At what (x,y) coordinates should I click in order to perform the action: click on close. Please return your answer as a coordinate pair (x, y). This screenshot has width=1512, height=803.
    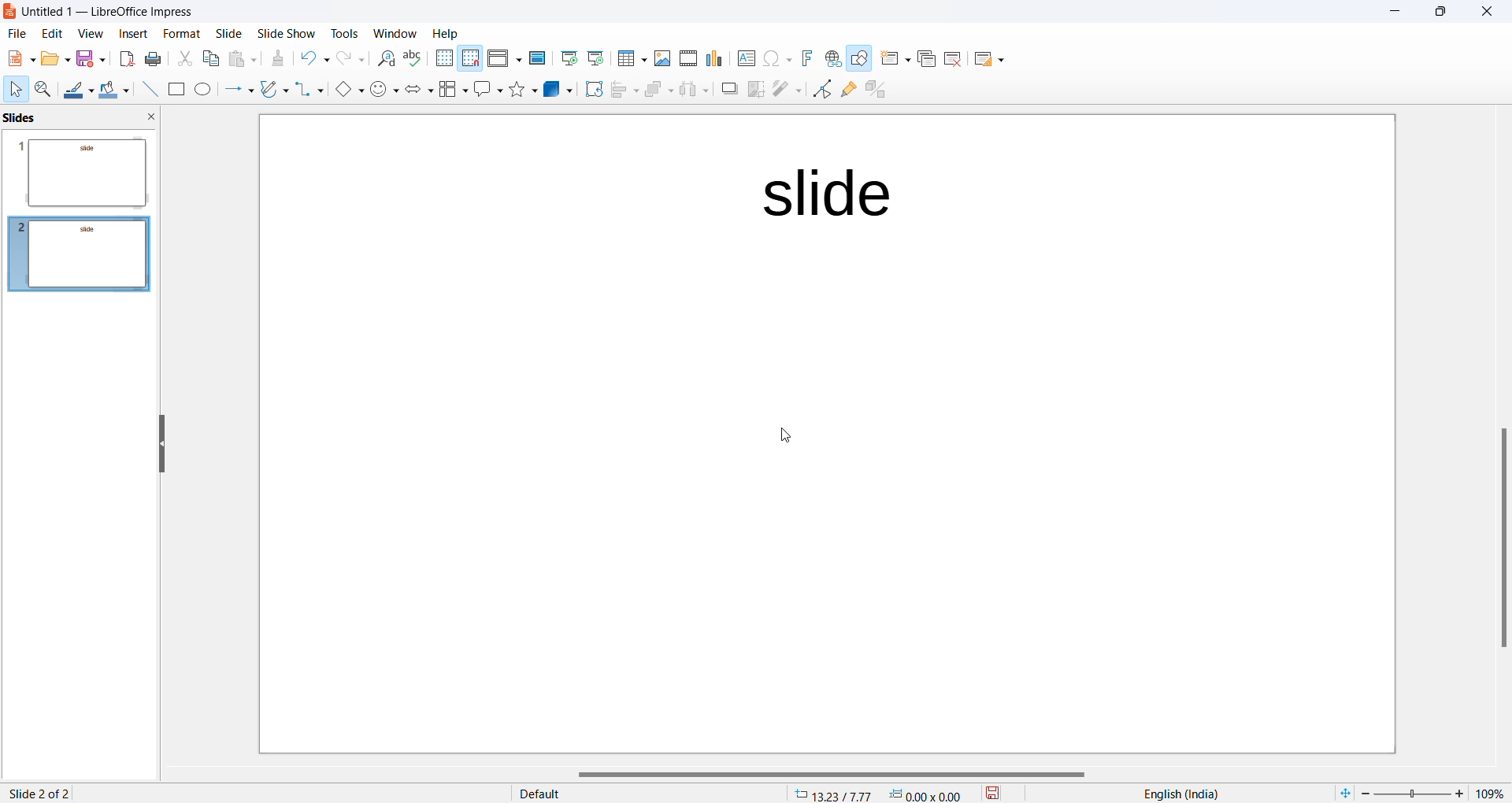
    Looking at the image, I should click on (1487, 14).